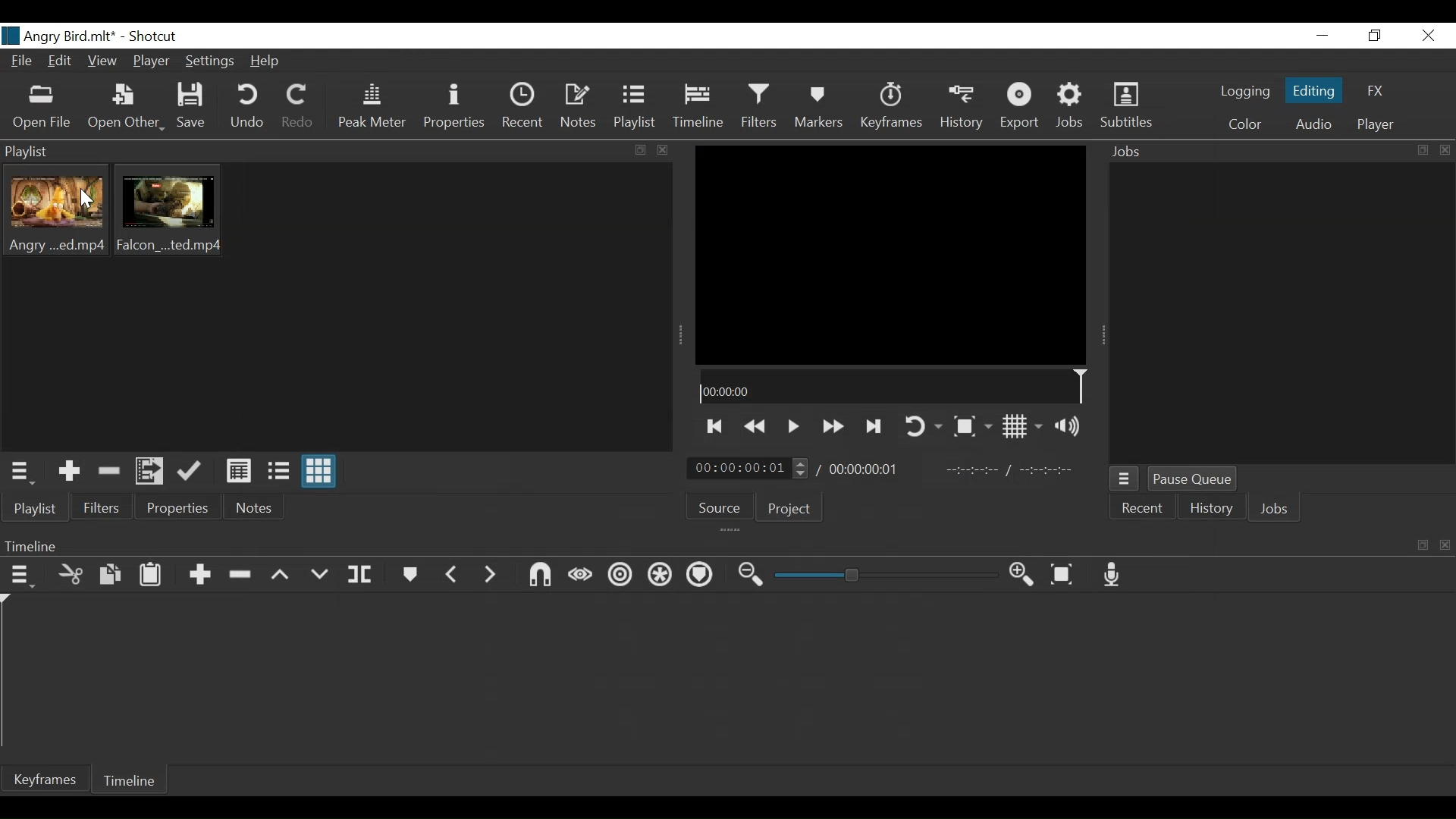 Image resolution: width=1456 pixels, height=819 pixels. What do you see at coordinates (750, 576) in the screenshot?
I see `Zoom timeline out` at bounding box center [750, 576].